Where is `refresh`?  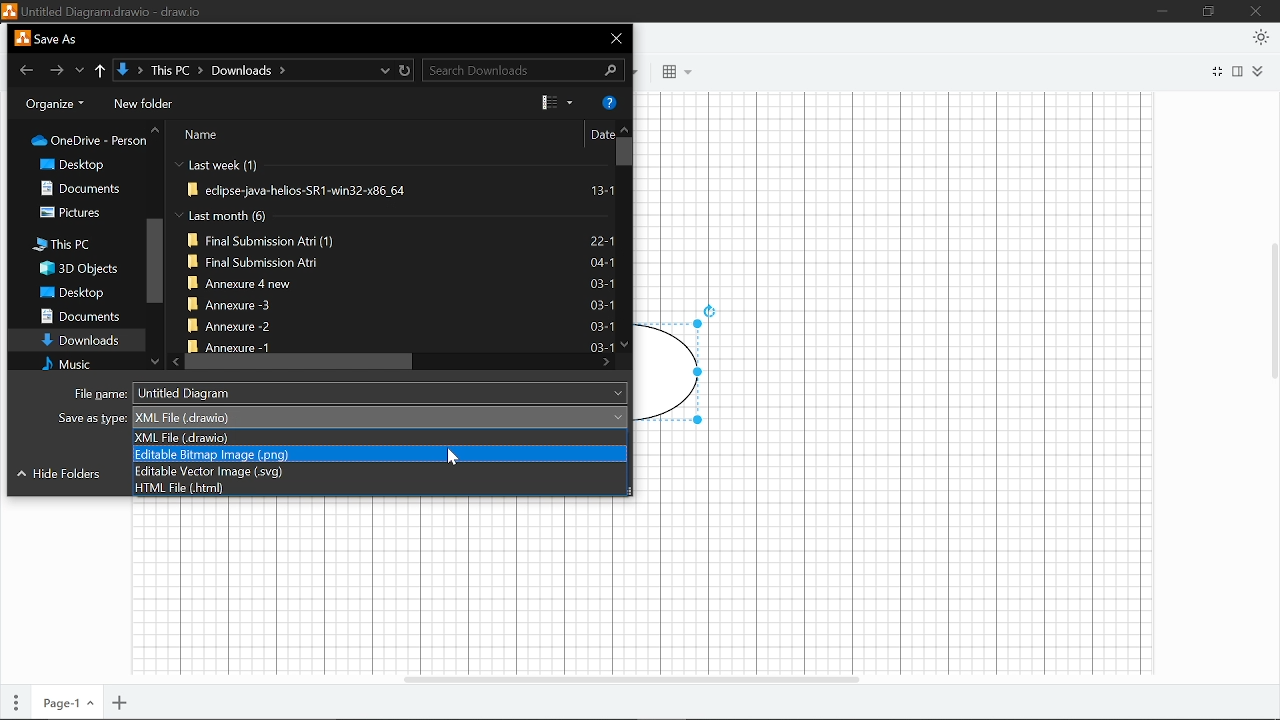
refresh is located at coordinates (406, 70).